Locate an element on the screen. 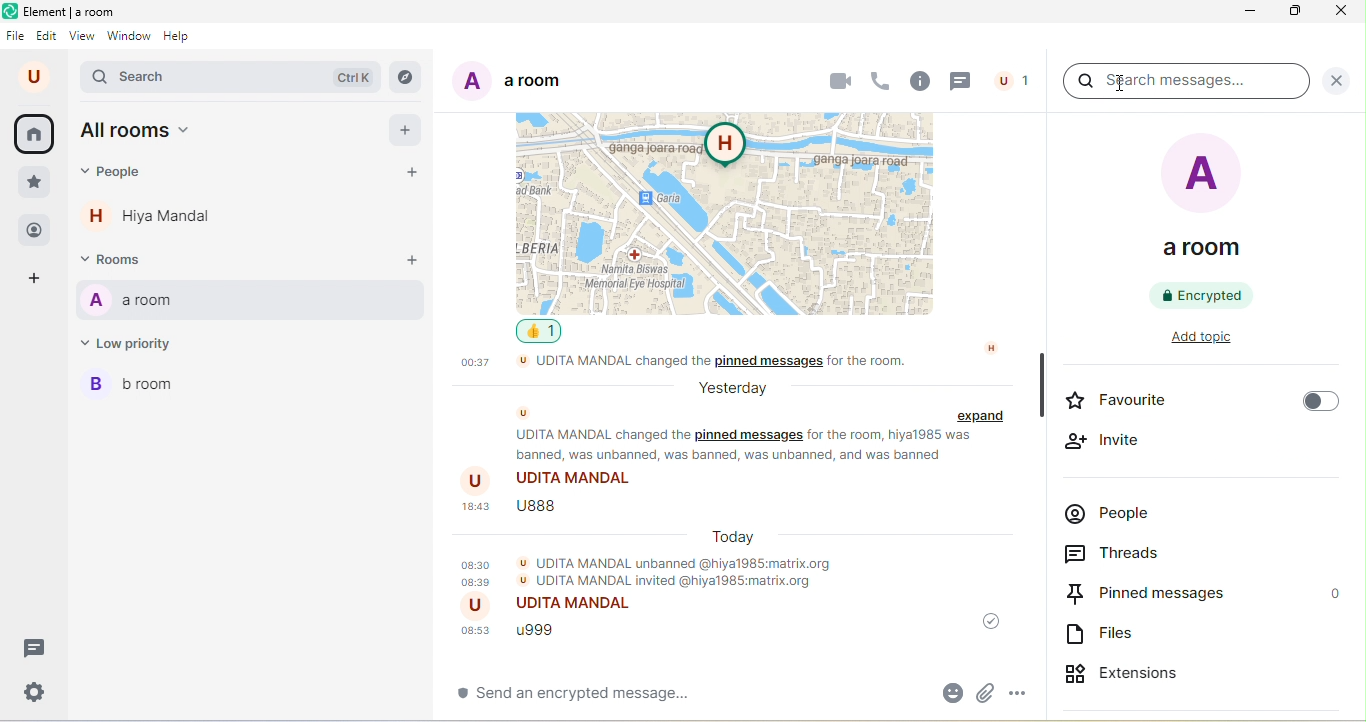 This screenshot has height=722, width=1366. add topic is located at coordinates (1216, 340).